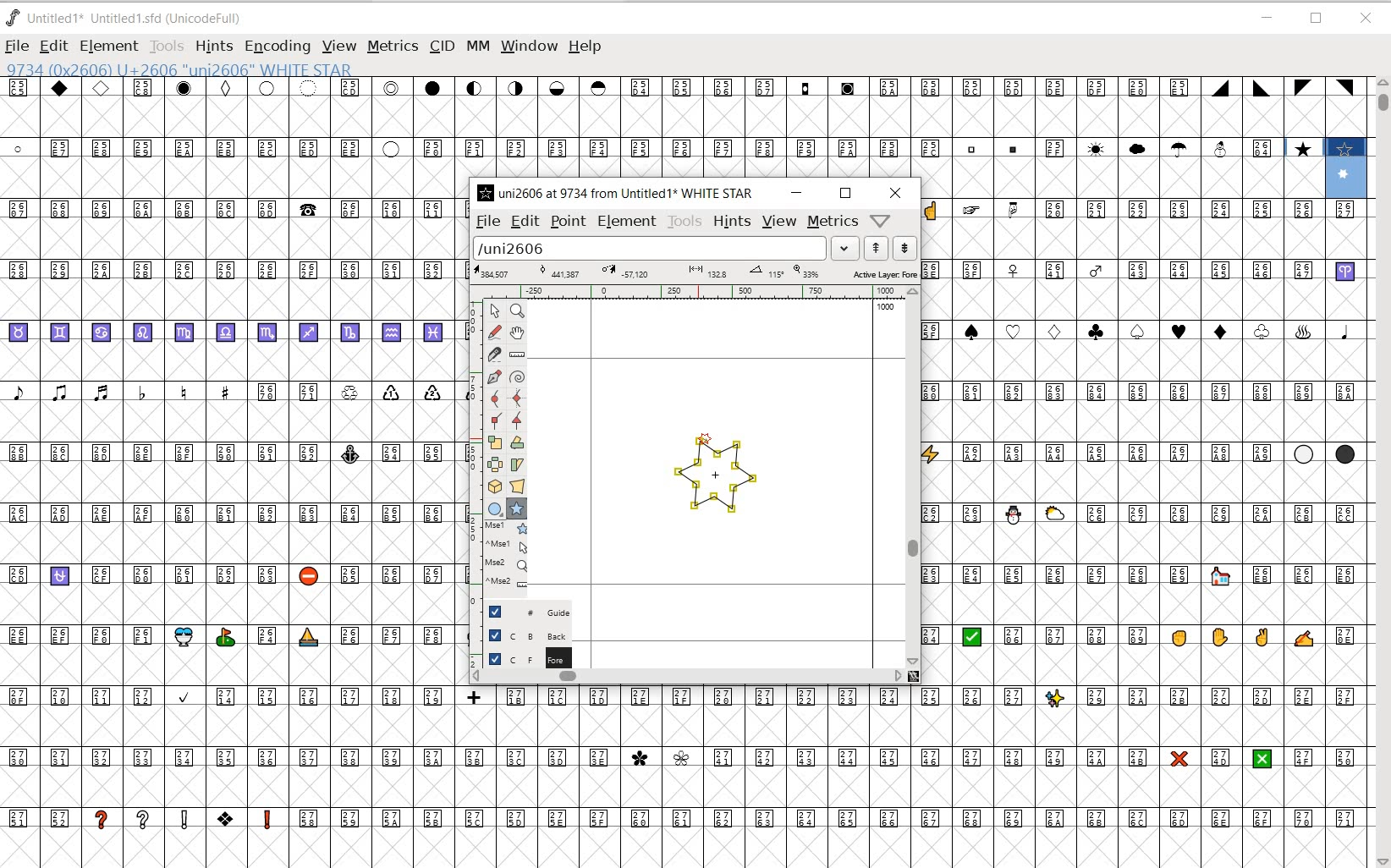 The image size is (1391, 868). What do you see at coordinates (618, 192) in the screenshot?
I see `uni2606 at 9734 from Untitled 1* WHITE STAR` at bounding box center [618, 192].